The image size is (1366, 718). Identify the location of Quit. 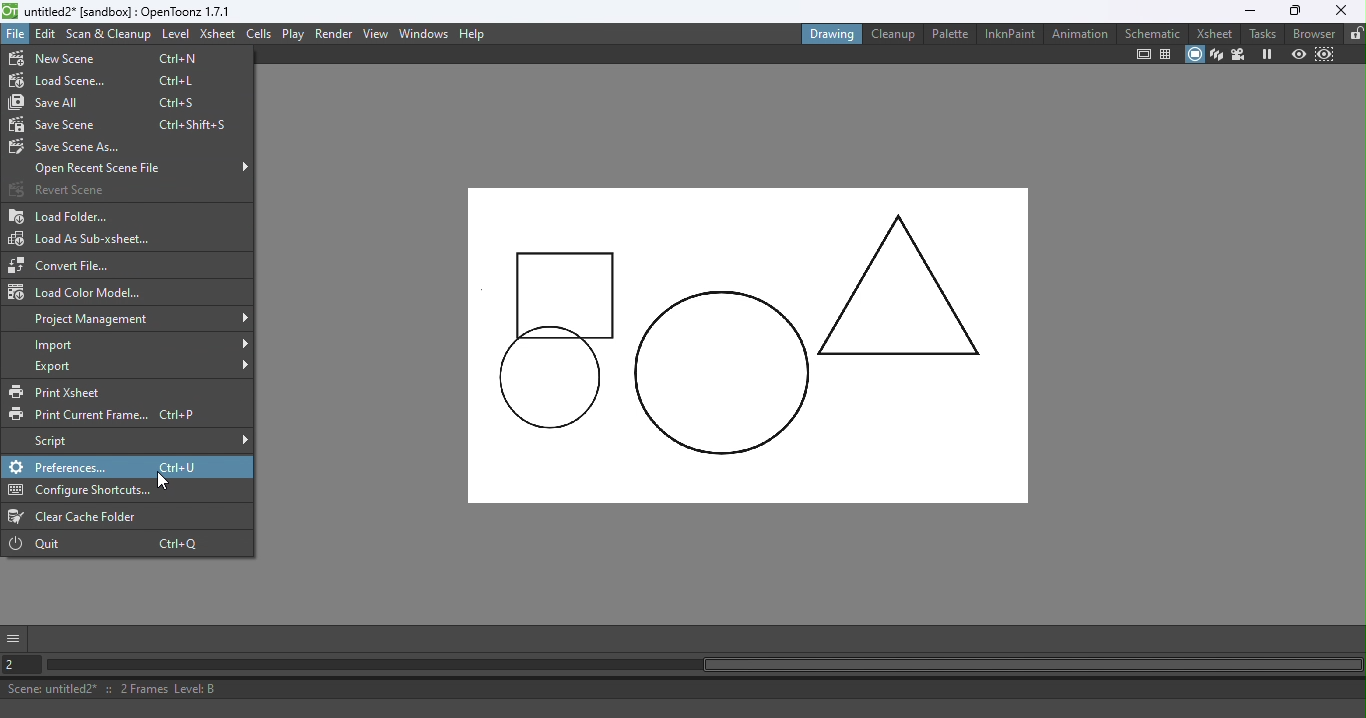
(109, 546).